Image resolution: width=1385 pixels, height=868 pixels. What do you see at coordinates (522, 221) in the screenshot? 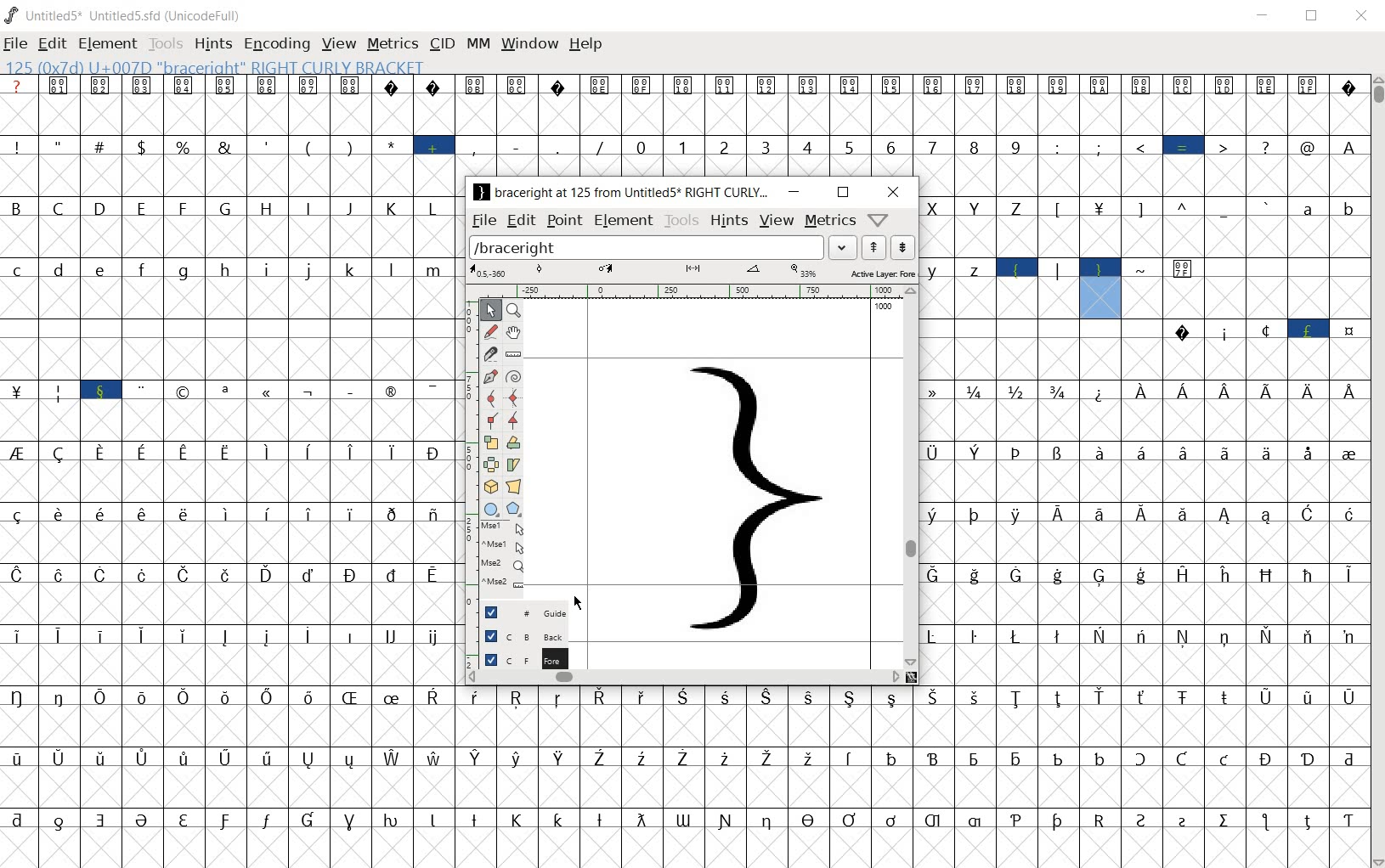
I see `edit` at bounding box center [522, 221].